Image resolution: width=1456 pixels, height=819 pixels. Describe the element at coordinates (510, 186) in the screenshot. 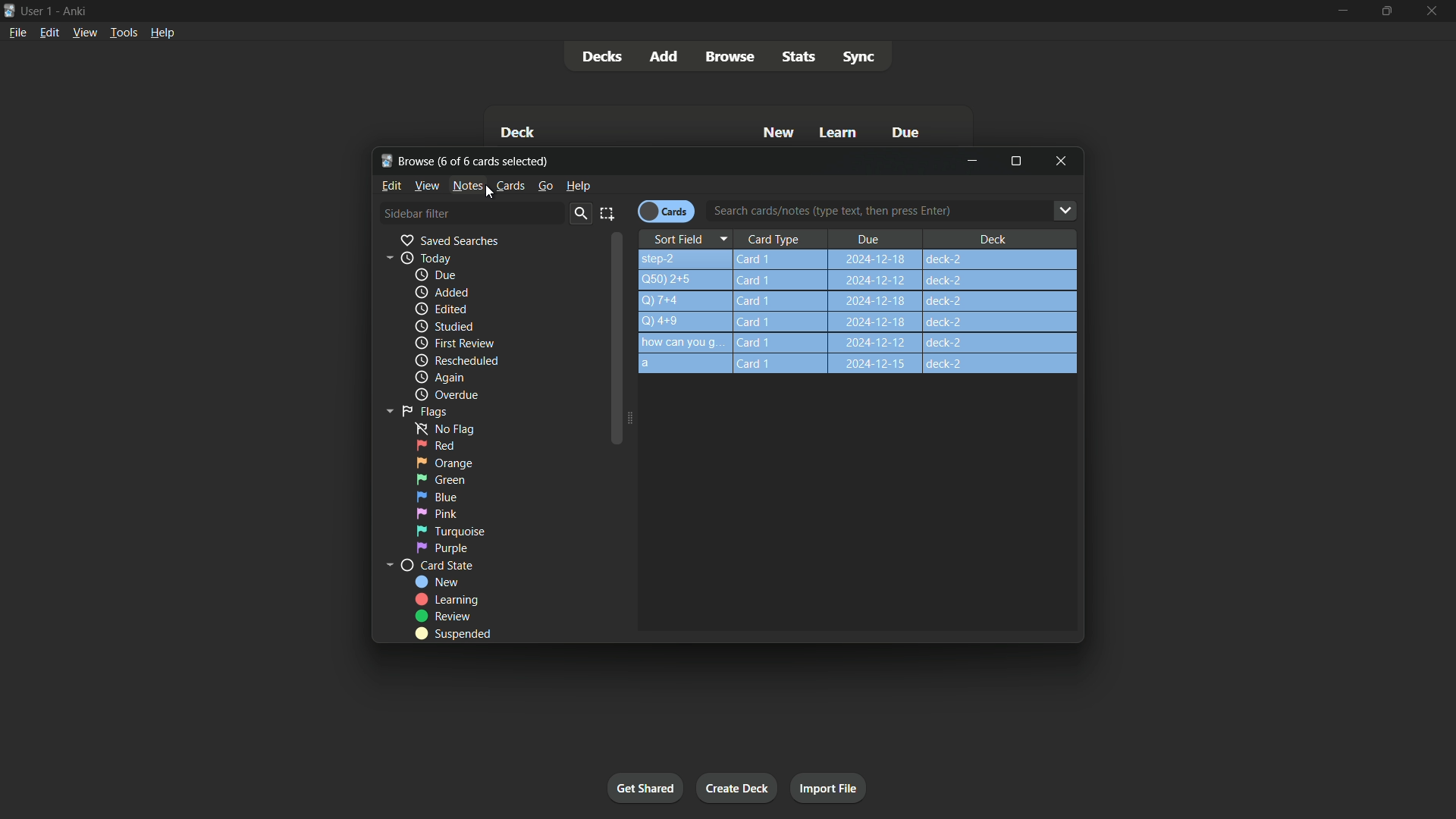

I see `Cards` at that location.